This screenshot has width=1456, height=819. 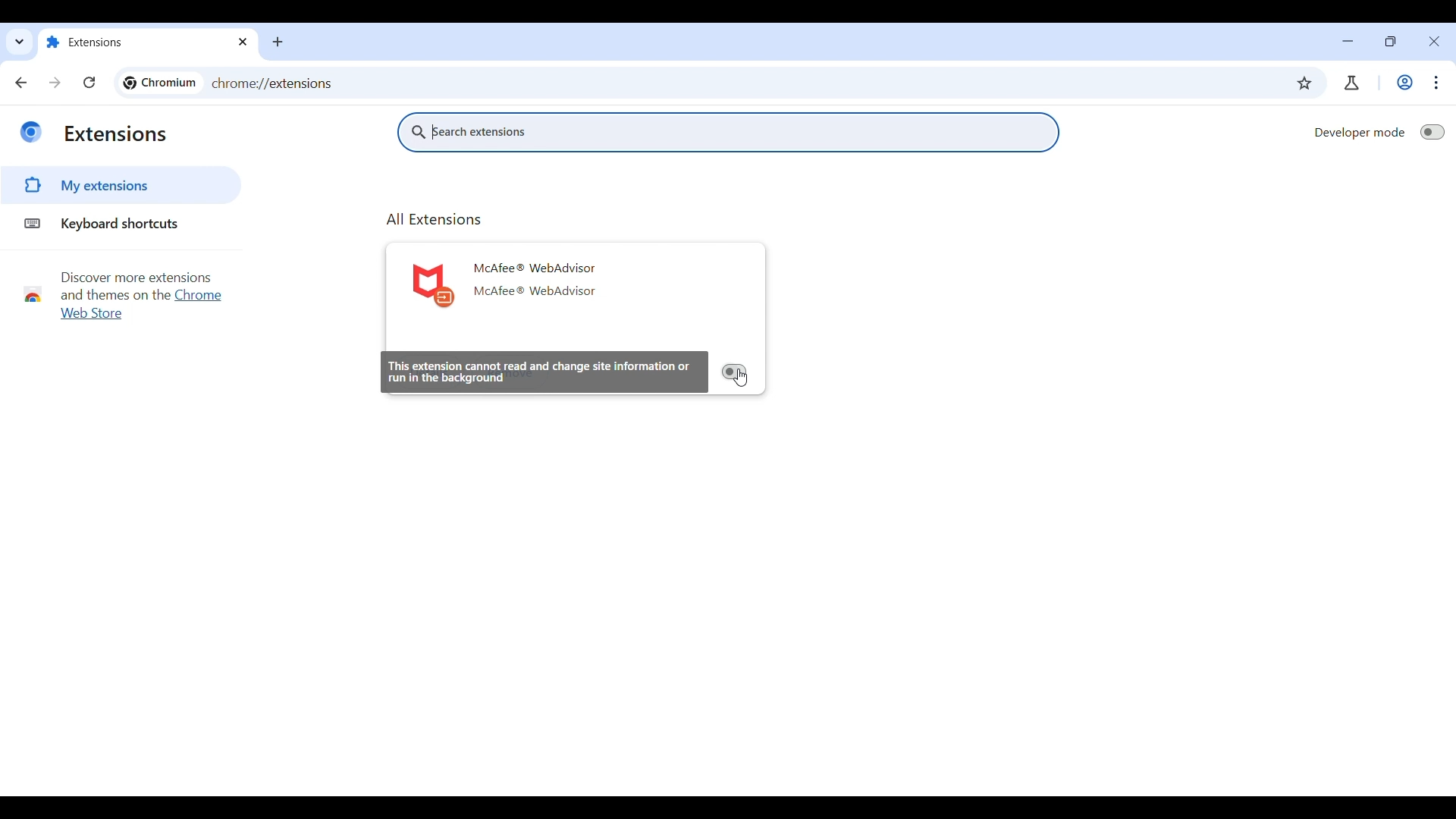 What do you see at coordinates (1360, 132) in the screenshot?
I see `Developer mode` at bounding box center [1360, 132].